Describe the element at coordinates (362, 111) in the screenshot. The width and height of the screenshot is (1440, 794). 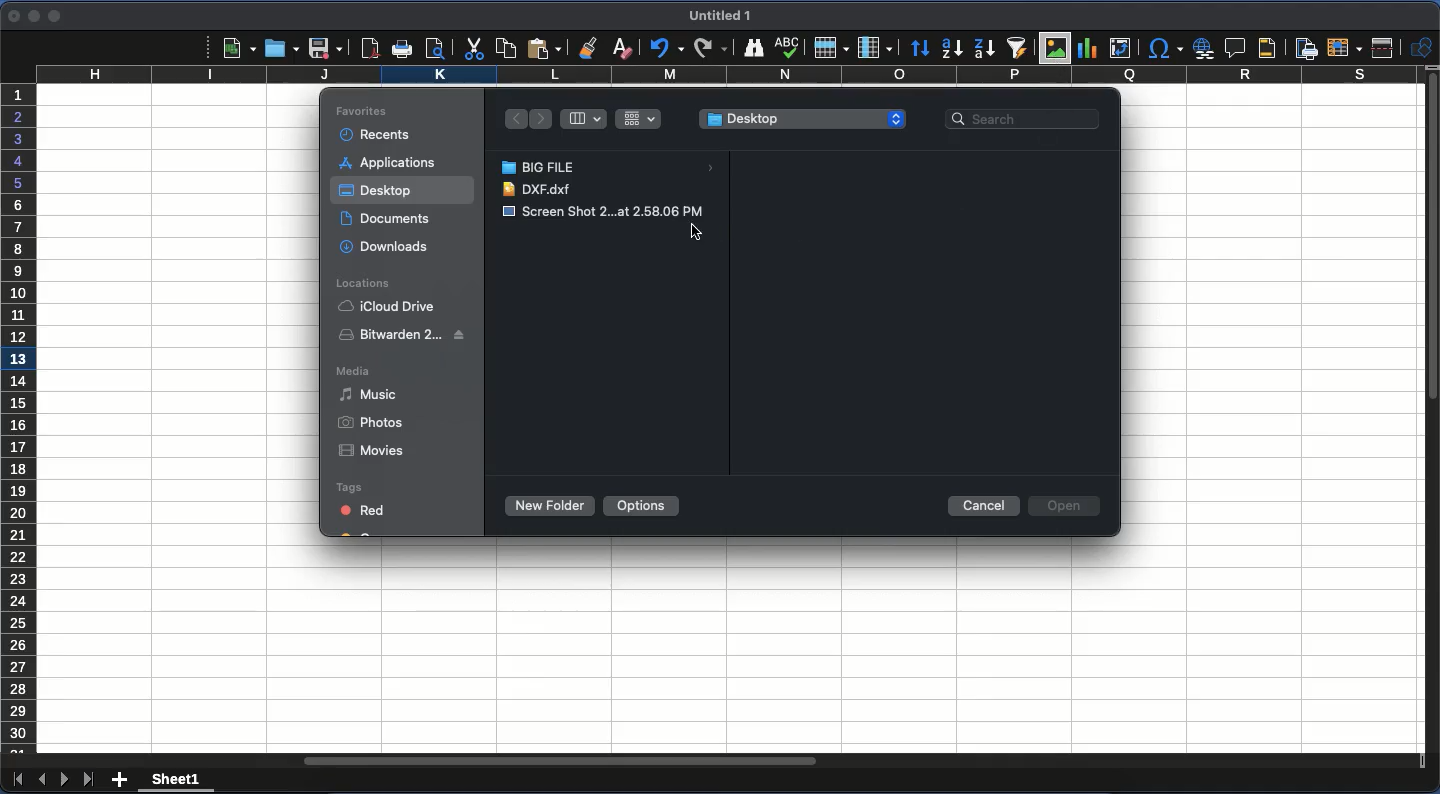
I see `favorites` at that location.